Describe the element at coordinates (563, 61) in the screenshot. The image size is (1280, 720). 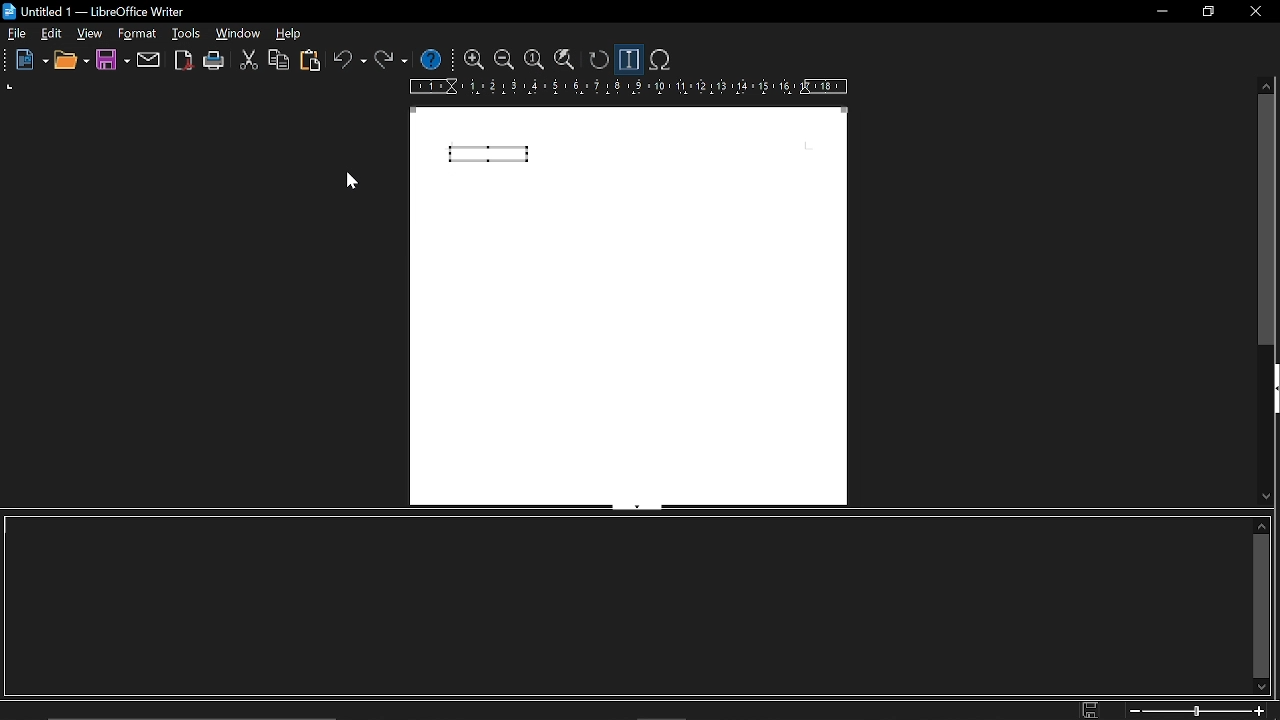
I see `show all` at that location.